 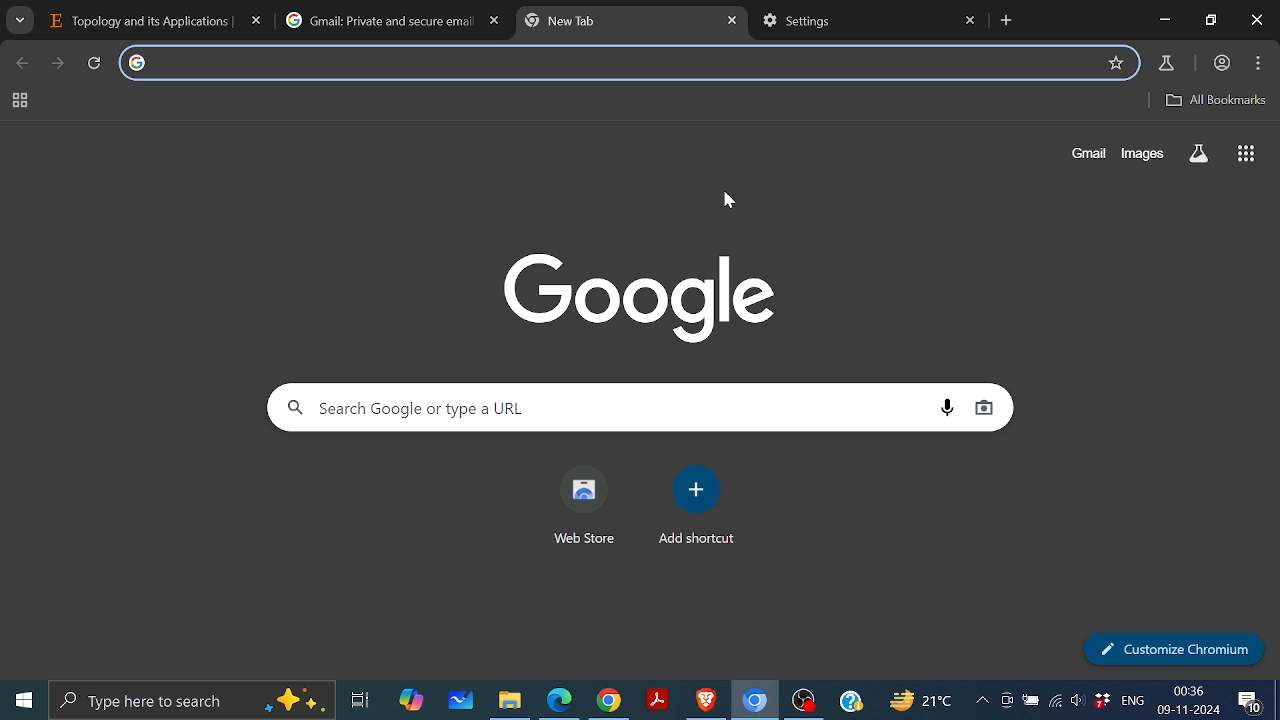 What do you see at coordinates (1165, 63) in the screenshot?
I see `Google labs` at bounding box center [1165, 63].